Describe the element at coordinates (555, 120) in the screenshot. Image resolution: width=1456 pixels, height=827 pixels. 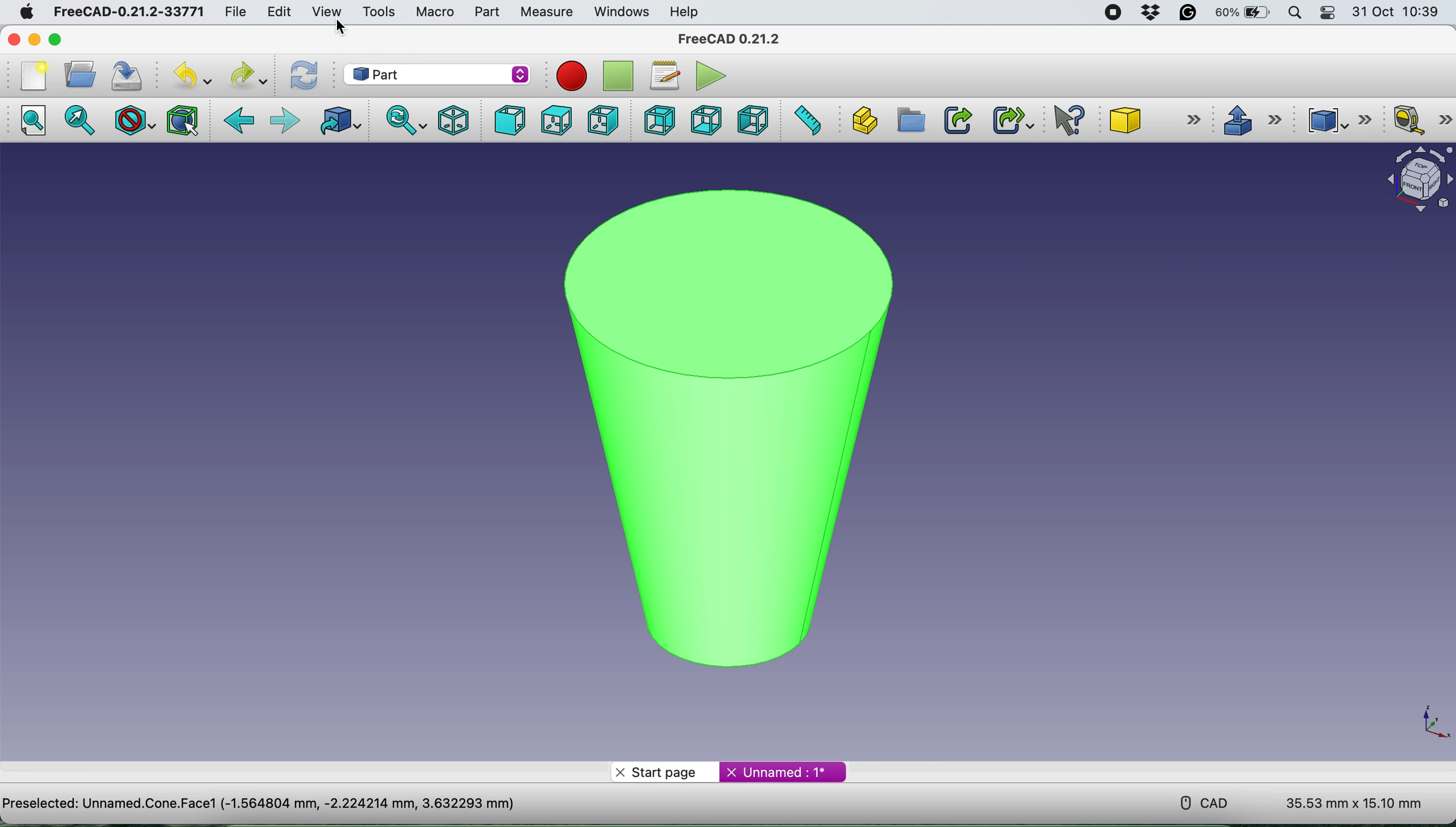
I see `top` at that location.